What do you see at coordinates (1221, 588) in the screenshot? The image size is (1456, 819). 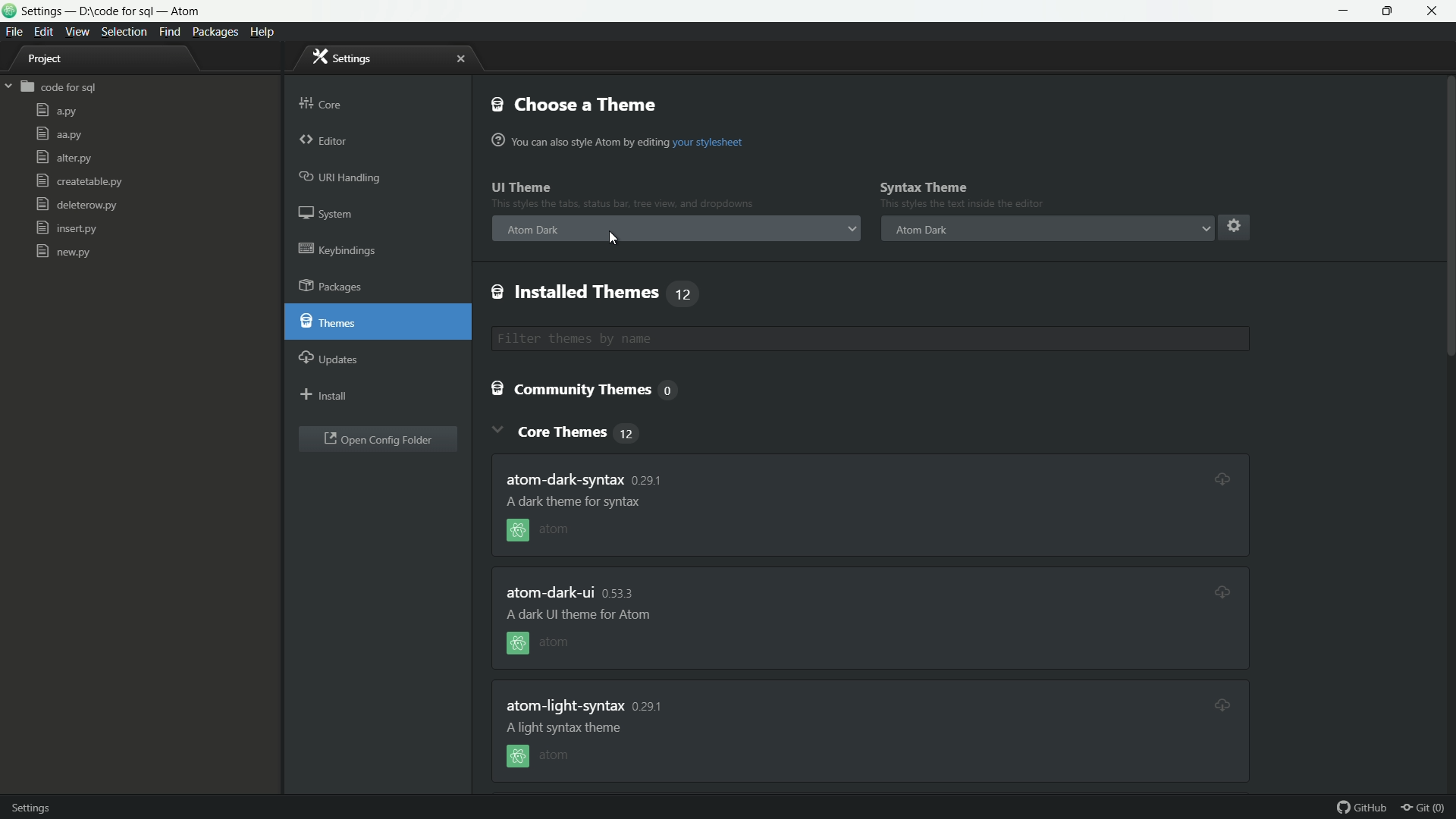 I see `download` at bounding box center [1221, 588].